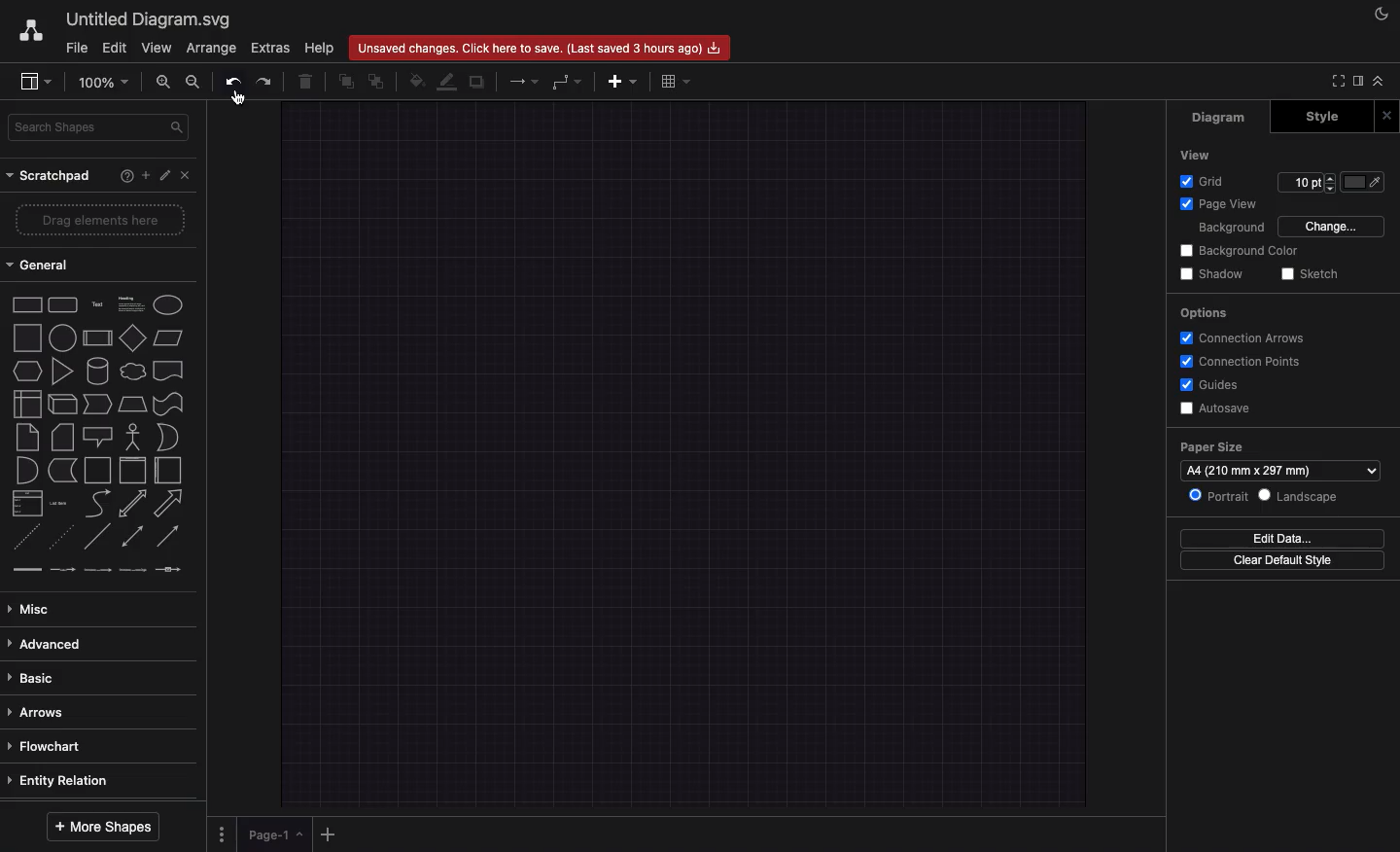 The width and height of the screenshot is (1400, 852). What do you see at coordinates (212, 49) in the screenshot?
I see `Arrange` at bounding box center [212, 49].